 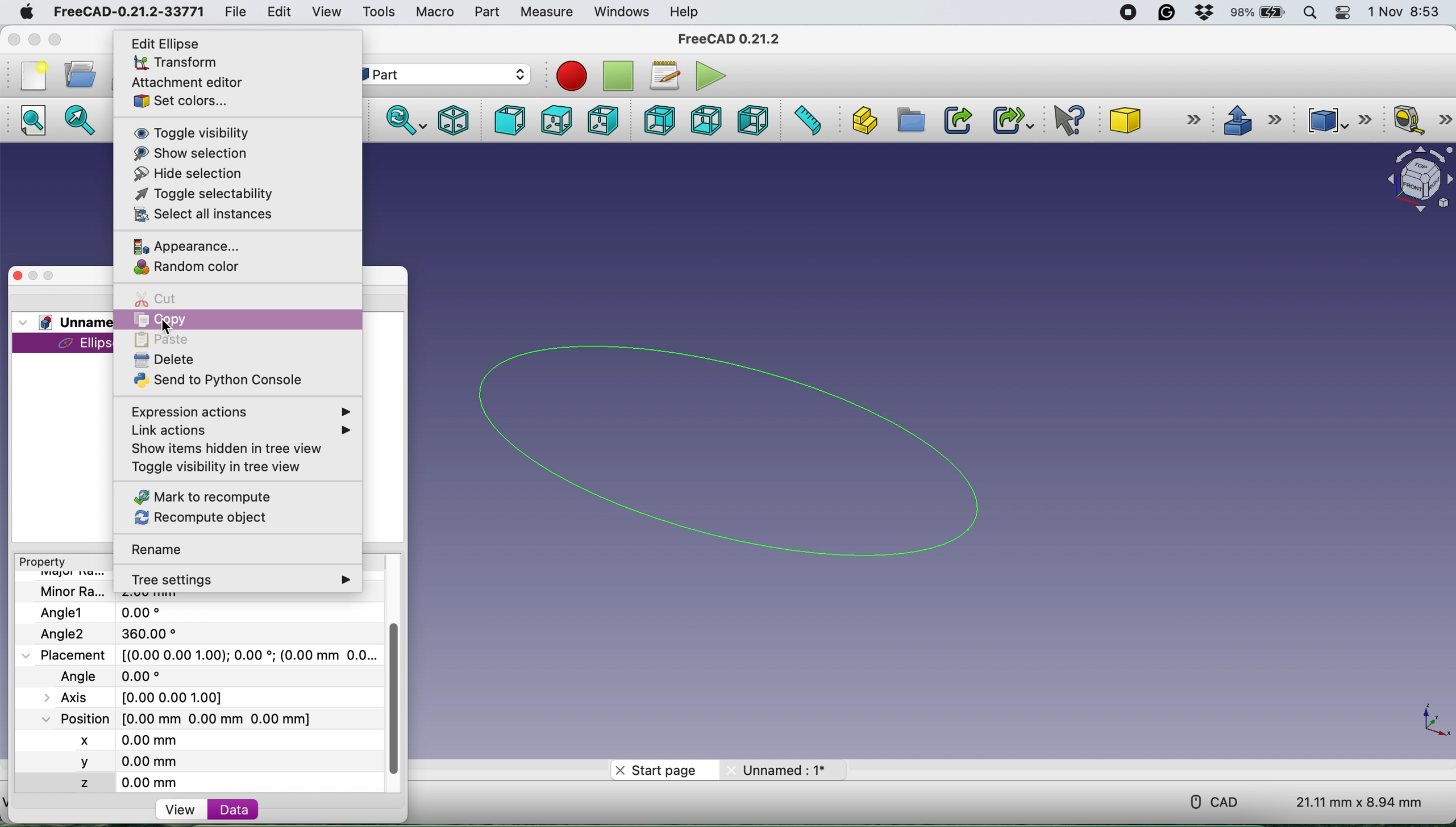 I want to click on top, so click(x=561, y=120).